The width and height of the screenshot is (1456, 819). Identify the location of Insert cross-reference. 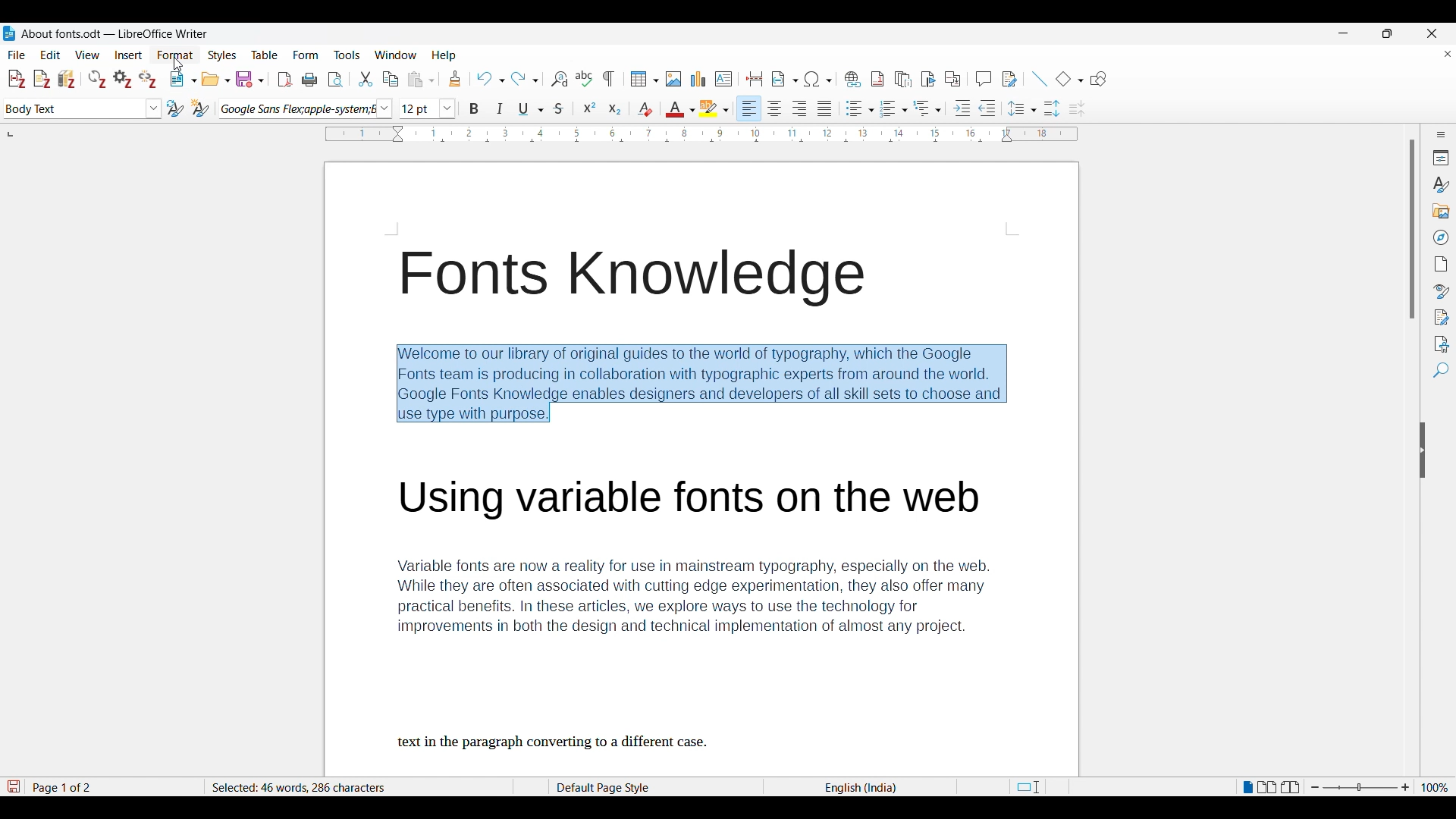
(952, 79).